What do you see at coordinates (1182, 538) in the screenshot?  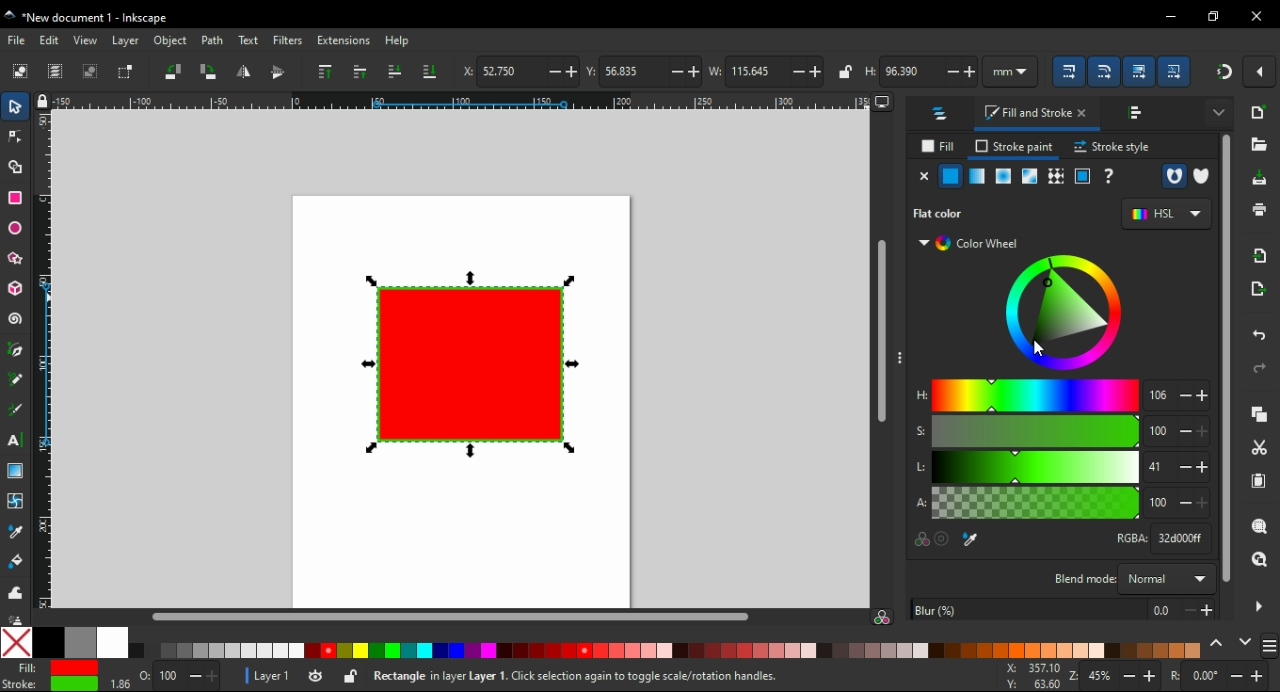 I see `hexcode` at bounding box center [1182, 538].